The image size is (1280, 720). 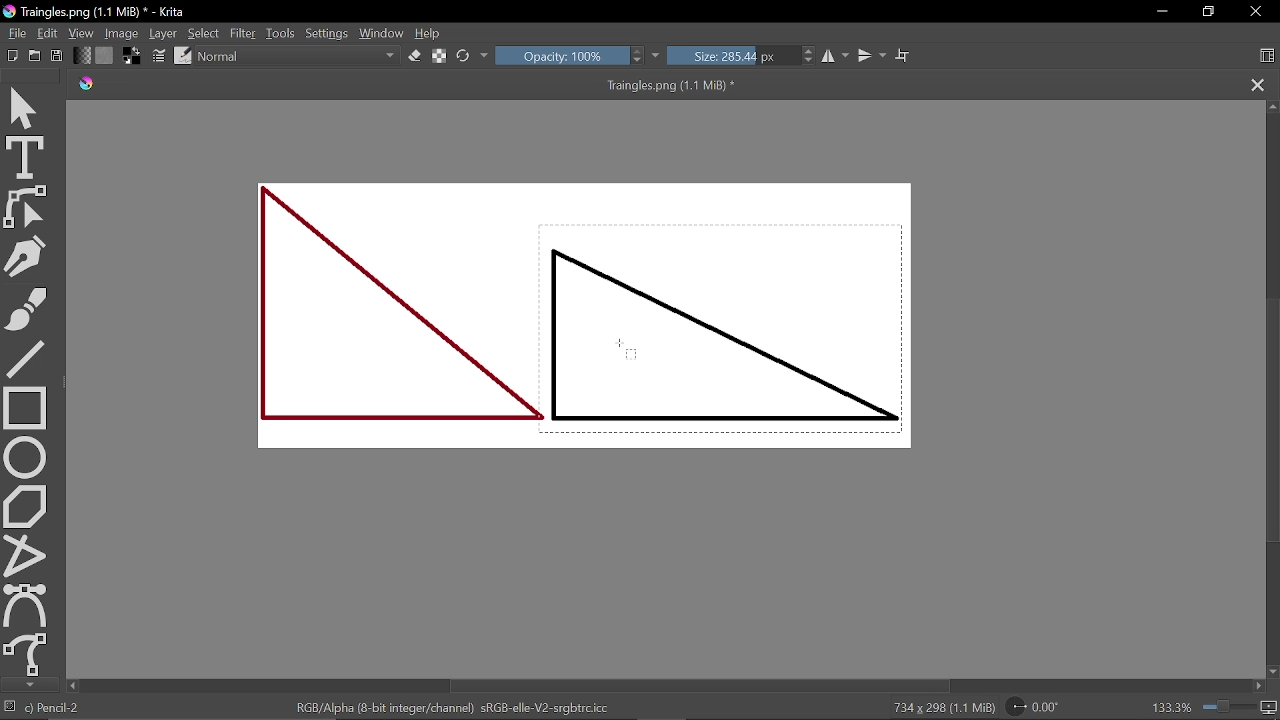 I want to click on Caligraphy, so click(x=26, y=254).